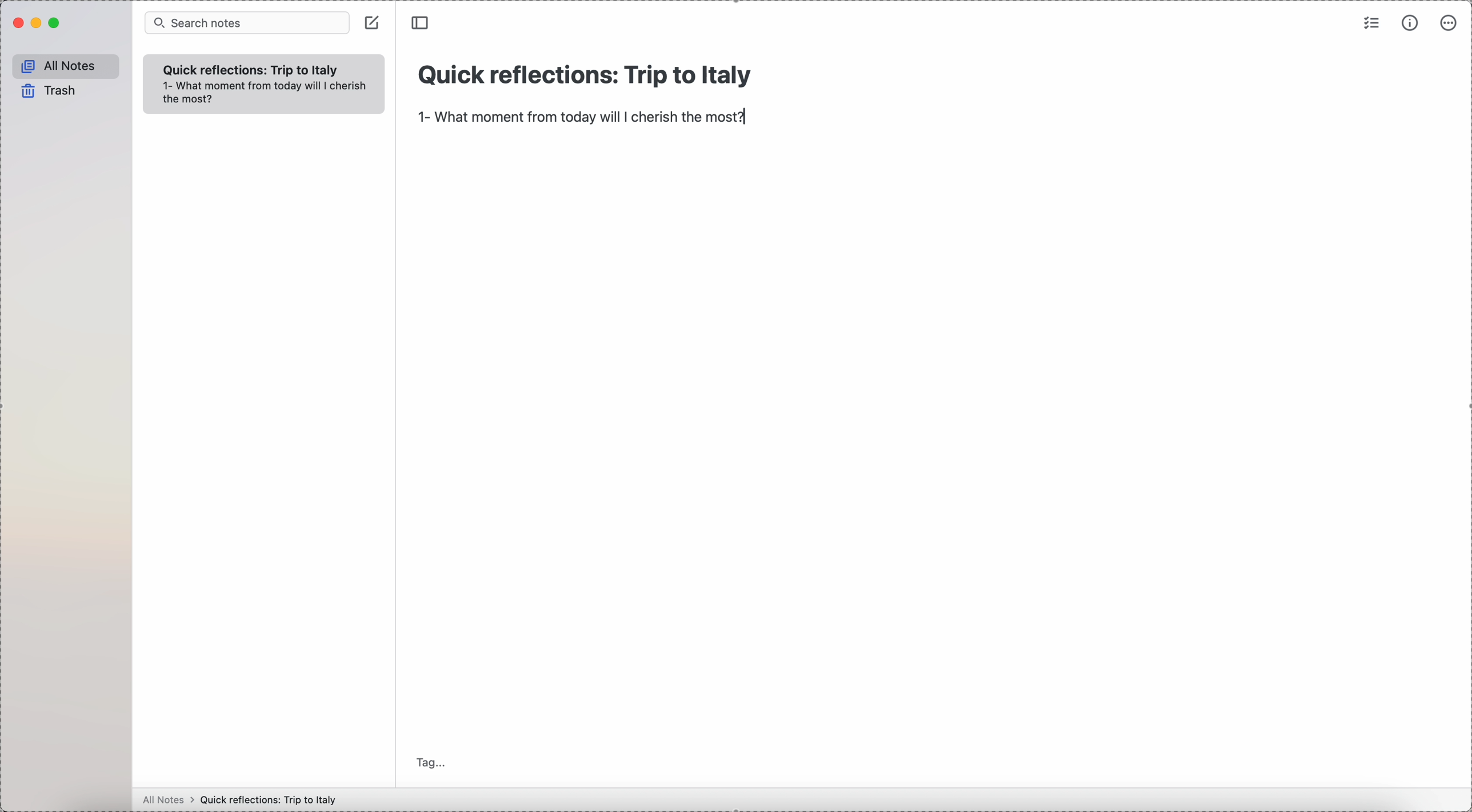 The width and height of the screenshot is (1472, 812). What do you see at coordinates (422, 23) in the screenshot?
I see `toggle sidebar` at bounding box center [422, 23].